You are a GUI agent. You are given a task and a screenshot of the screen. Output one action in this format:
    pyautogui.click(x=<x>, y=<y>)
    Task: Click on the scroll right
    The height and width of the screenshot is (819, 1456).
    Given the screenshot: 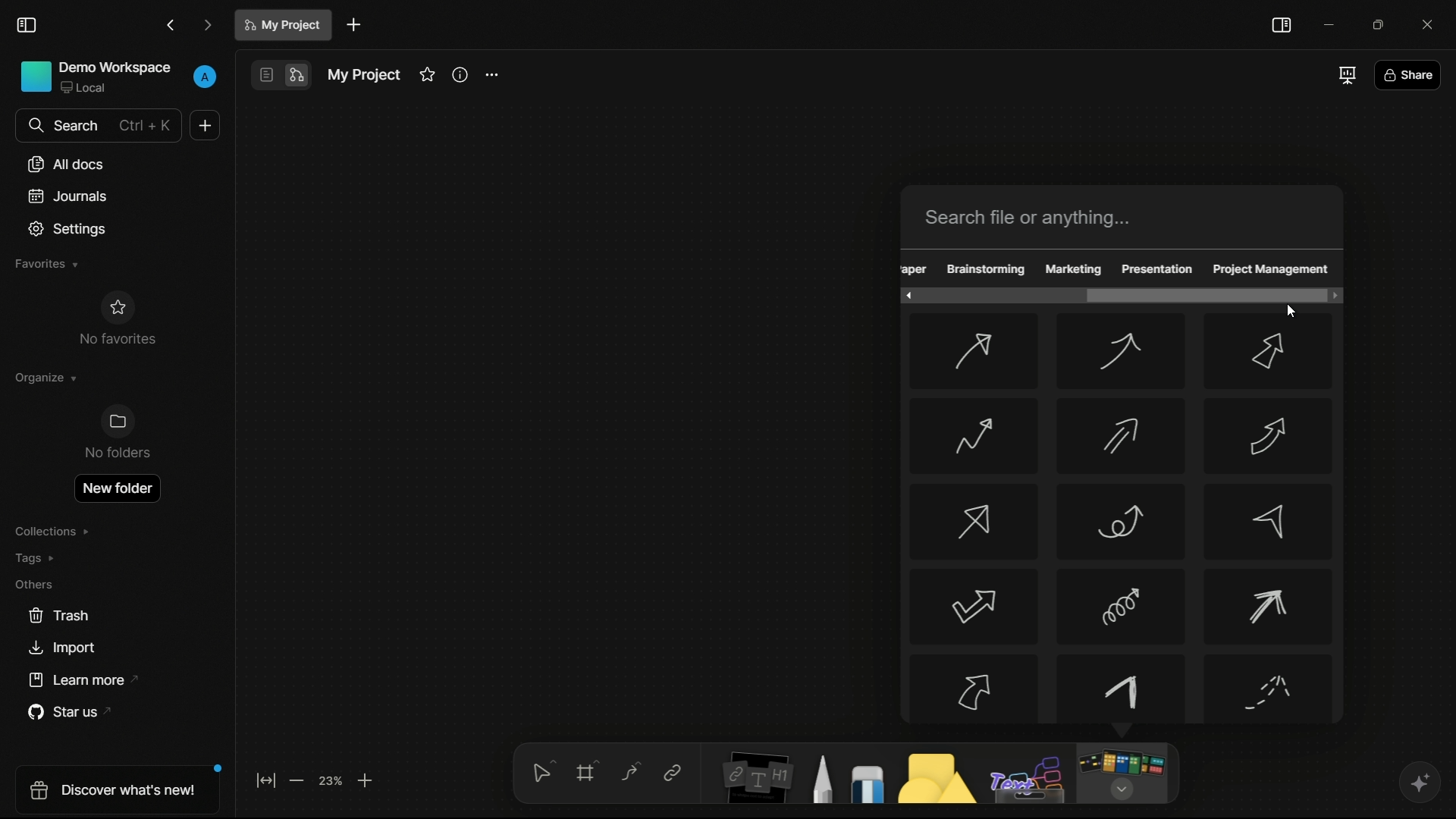 What is the action you would take?
    pyautogui.click(x=1332, y=295)
    